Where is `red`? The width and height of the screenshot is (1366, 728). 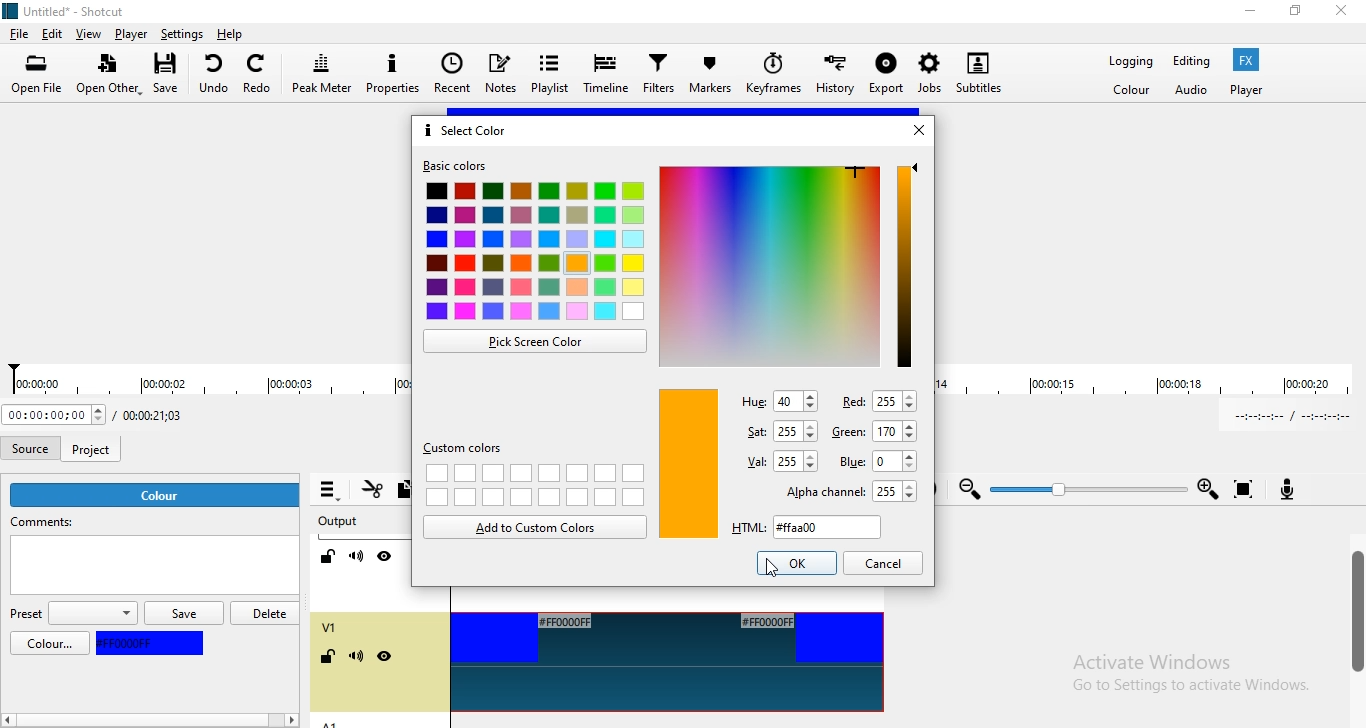 red is located at coordinates (875, 401).